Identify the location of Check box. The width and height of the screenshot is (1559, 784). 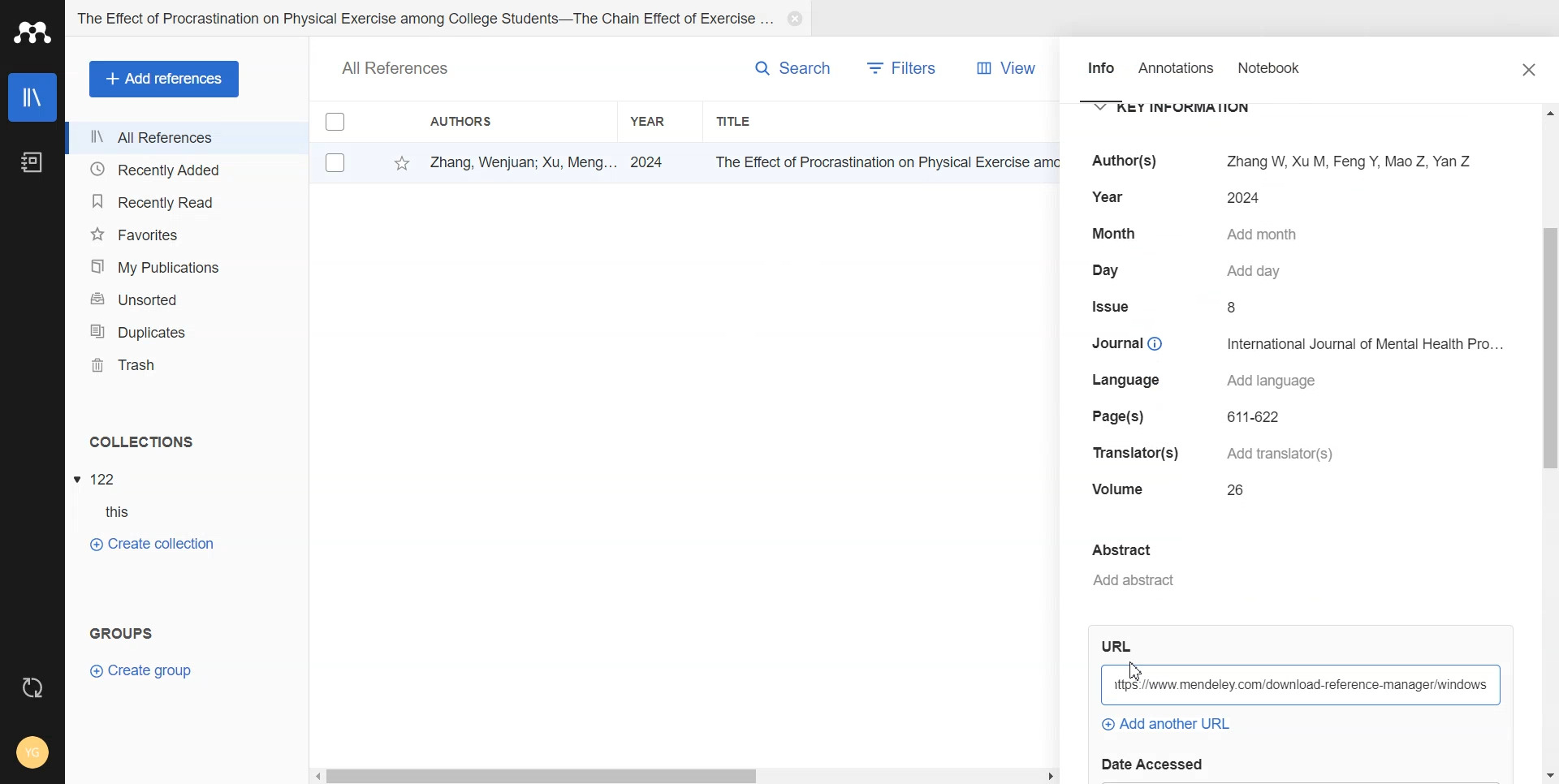
(332, 162).